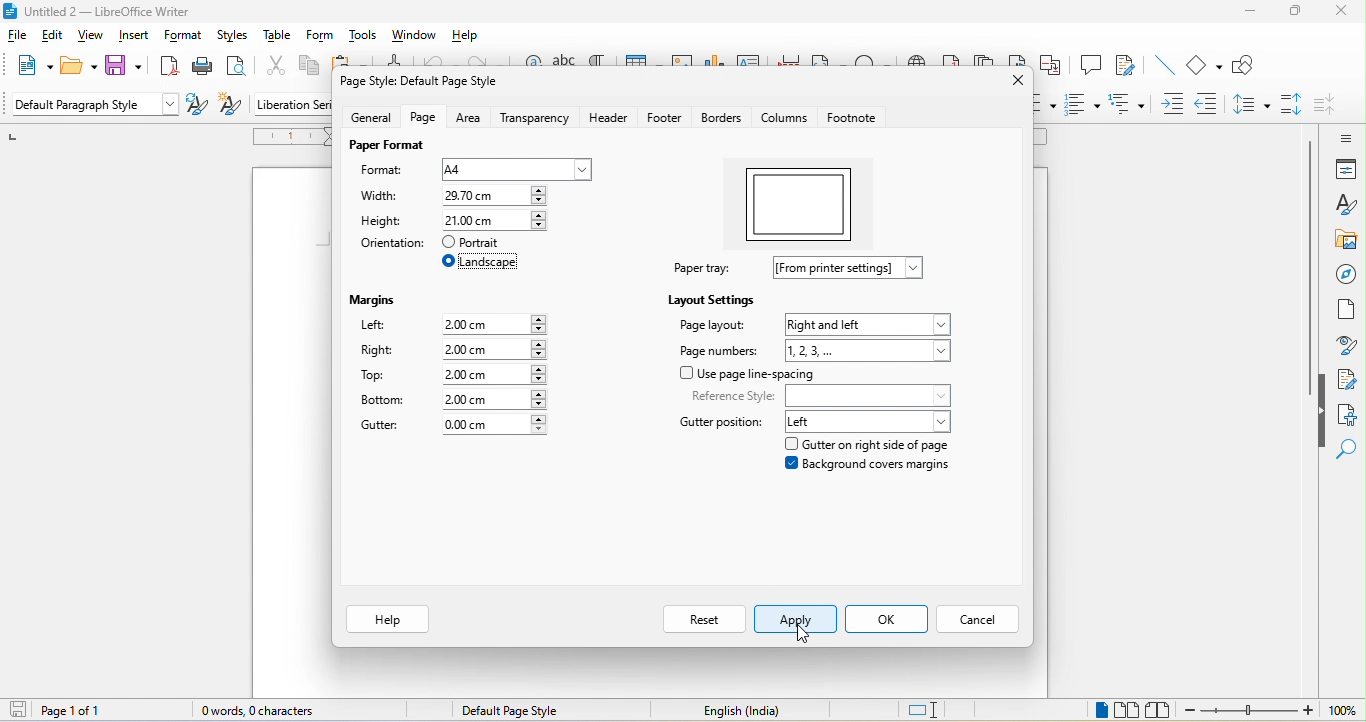 This screenshot has width=1366, height=722. What do you see at coordinates (373, 301) in the screenshot?
I see `margins` at bounding box center [373, 301].